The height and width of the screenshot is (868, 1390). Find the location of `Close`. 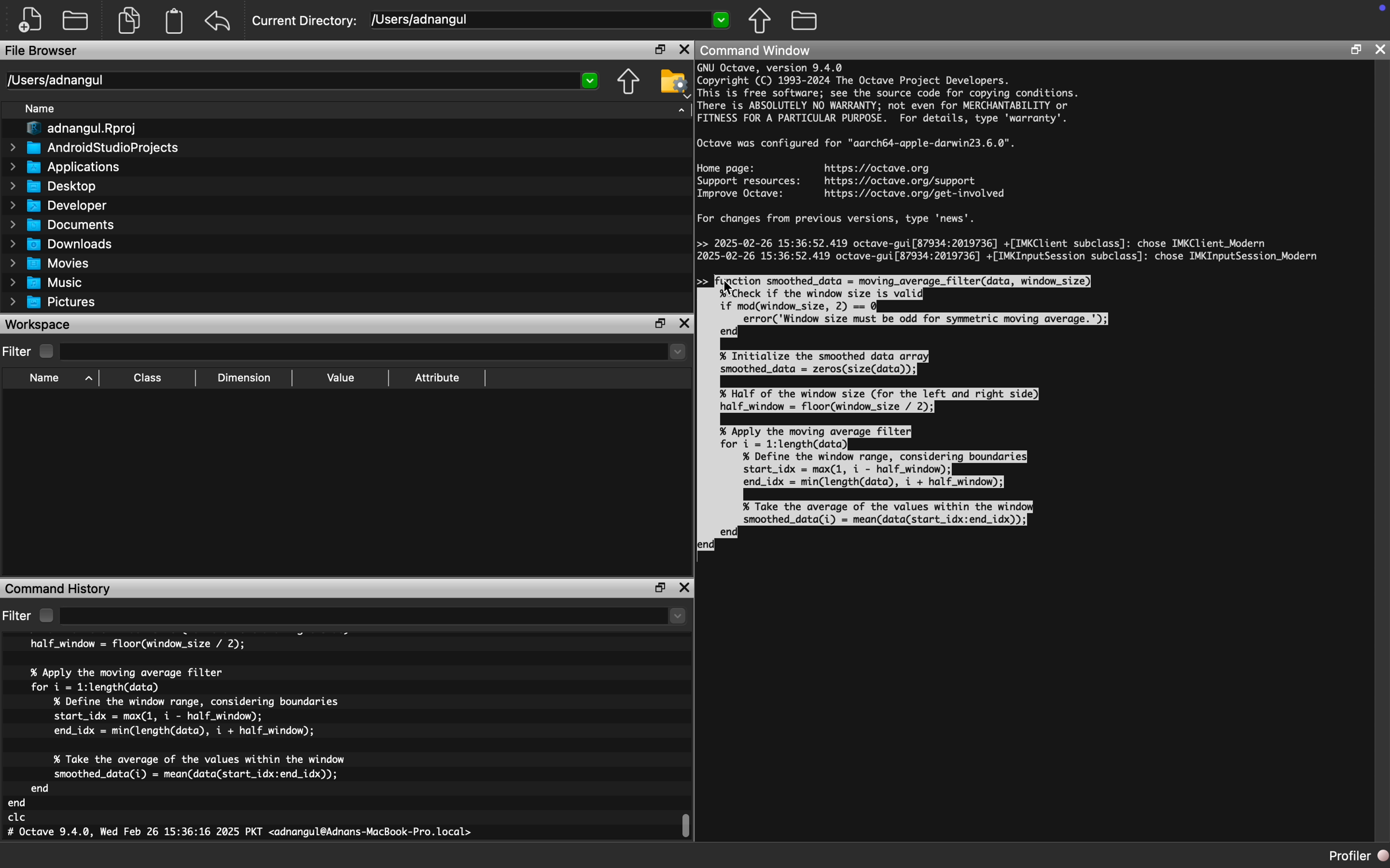

Close is located at coordinates (1379, 51).